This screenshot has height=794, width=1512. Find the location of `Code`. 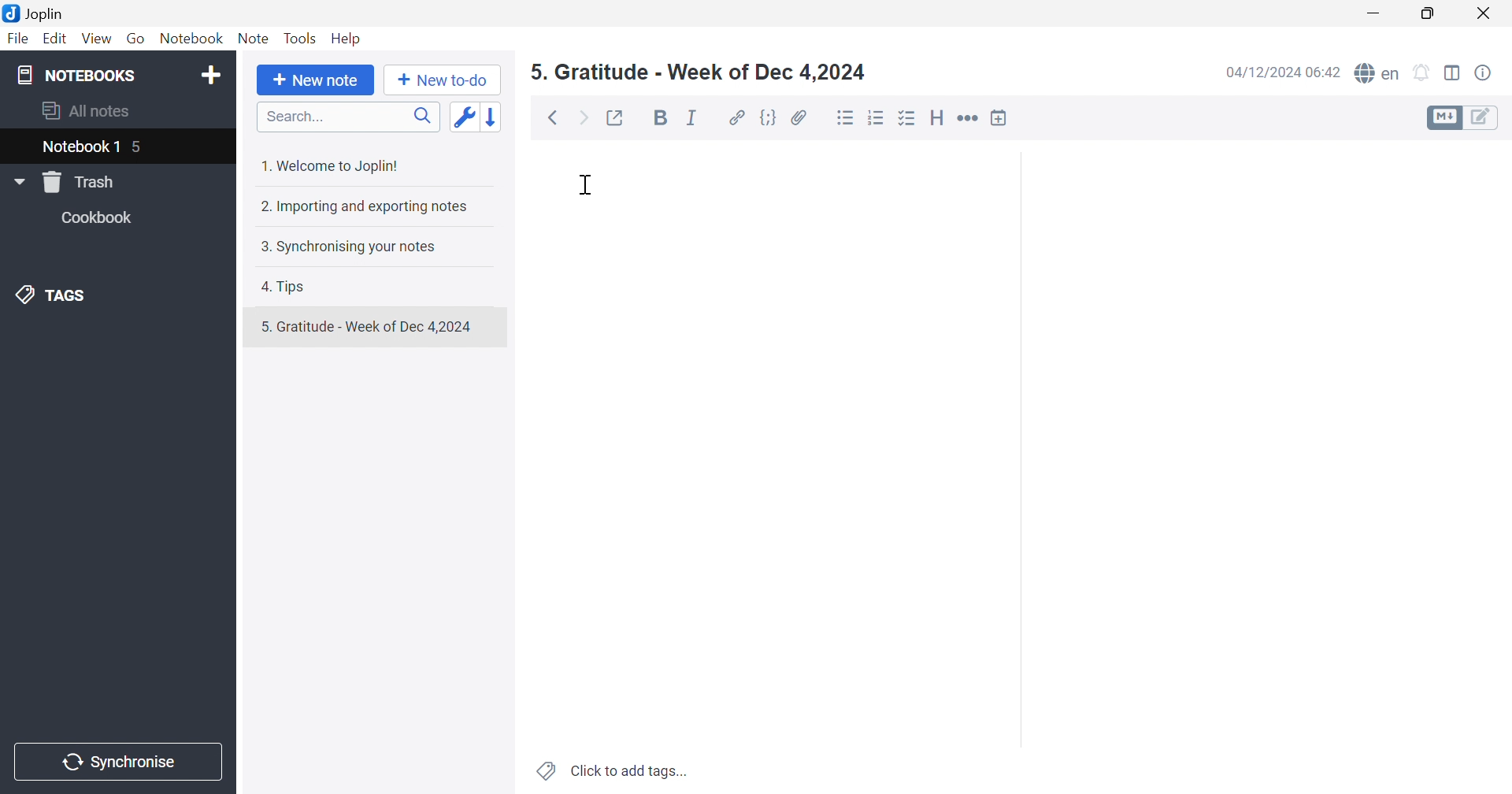

Code is located at coordinates (769, 117).